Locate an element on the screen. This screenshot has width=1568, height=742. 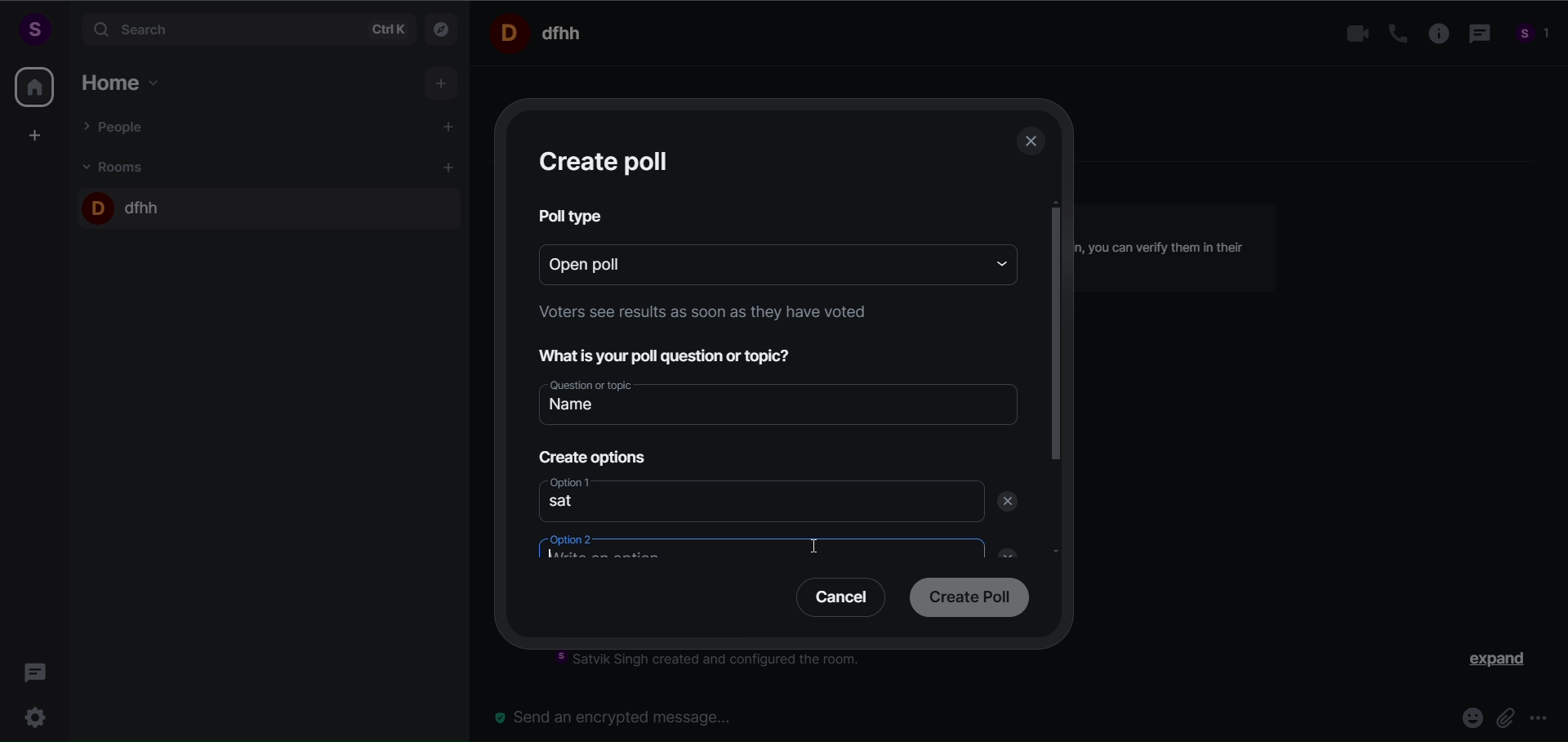
cancel is located at coordinates (835, 601).